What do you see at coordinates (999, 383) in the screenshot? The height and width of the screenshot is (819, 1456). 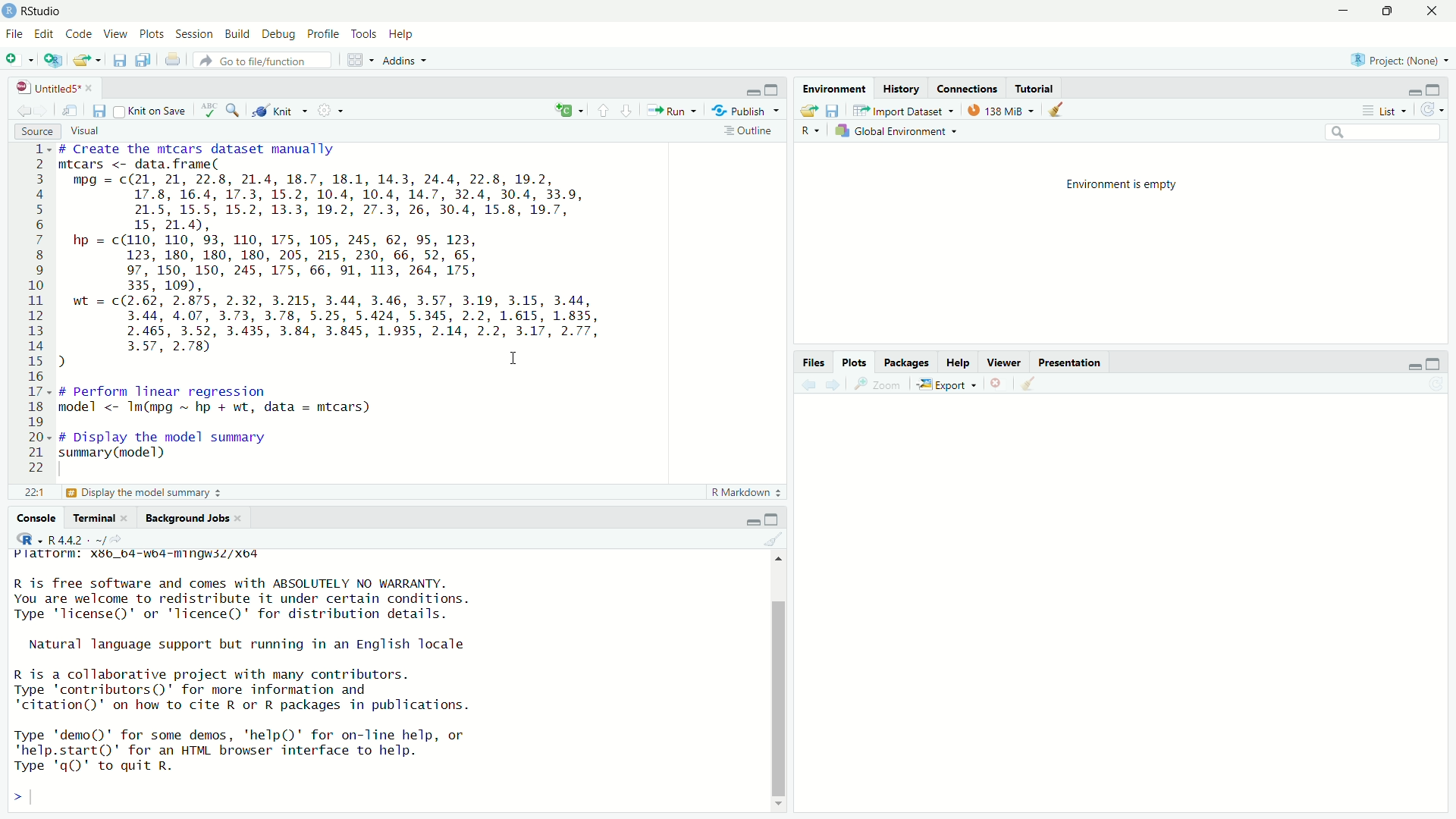 I see `remove current plot` at bounding box center [999, 383].